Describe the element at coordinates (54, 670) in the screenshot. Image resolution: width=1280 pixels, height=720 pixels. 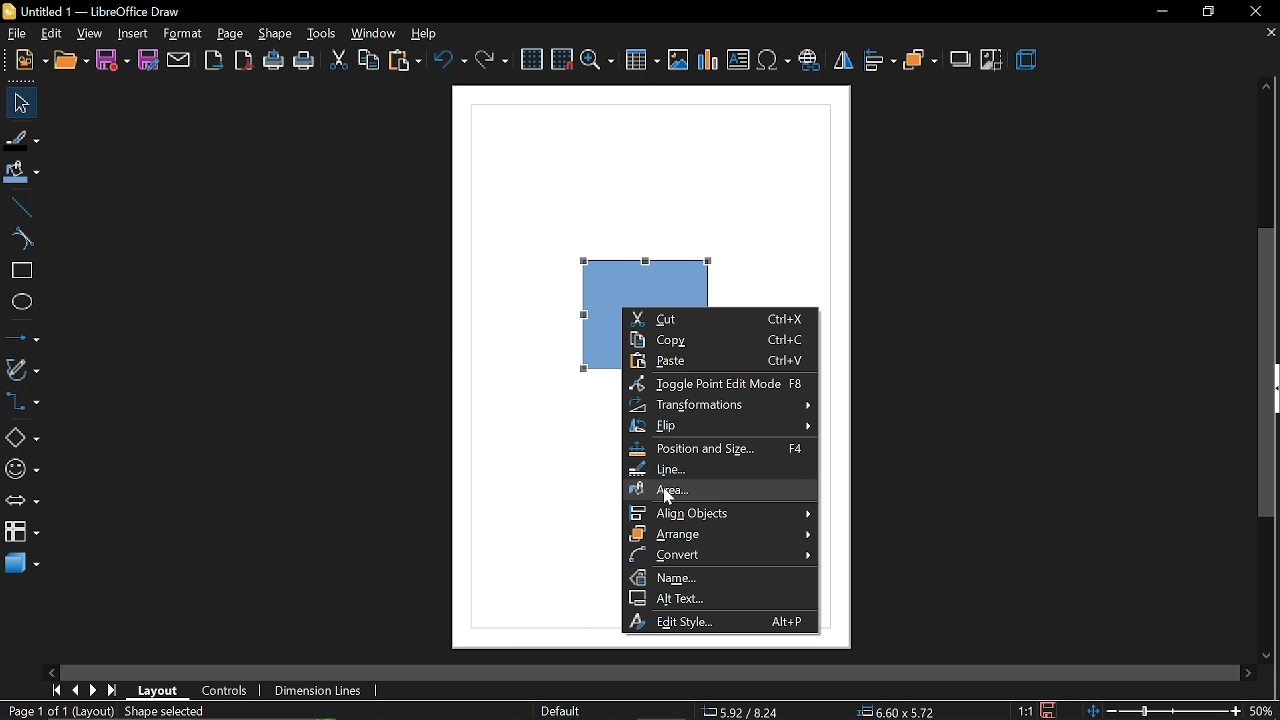
I see `Move left` at that location.